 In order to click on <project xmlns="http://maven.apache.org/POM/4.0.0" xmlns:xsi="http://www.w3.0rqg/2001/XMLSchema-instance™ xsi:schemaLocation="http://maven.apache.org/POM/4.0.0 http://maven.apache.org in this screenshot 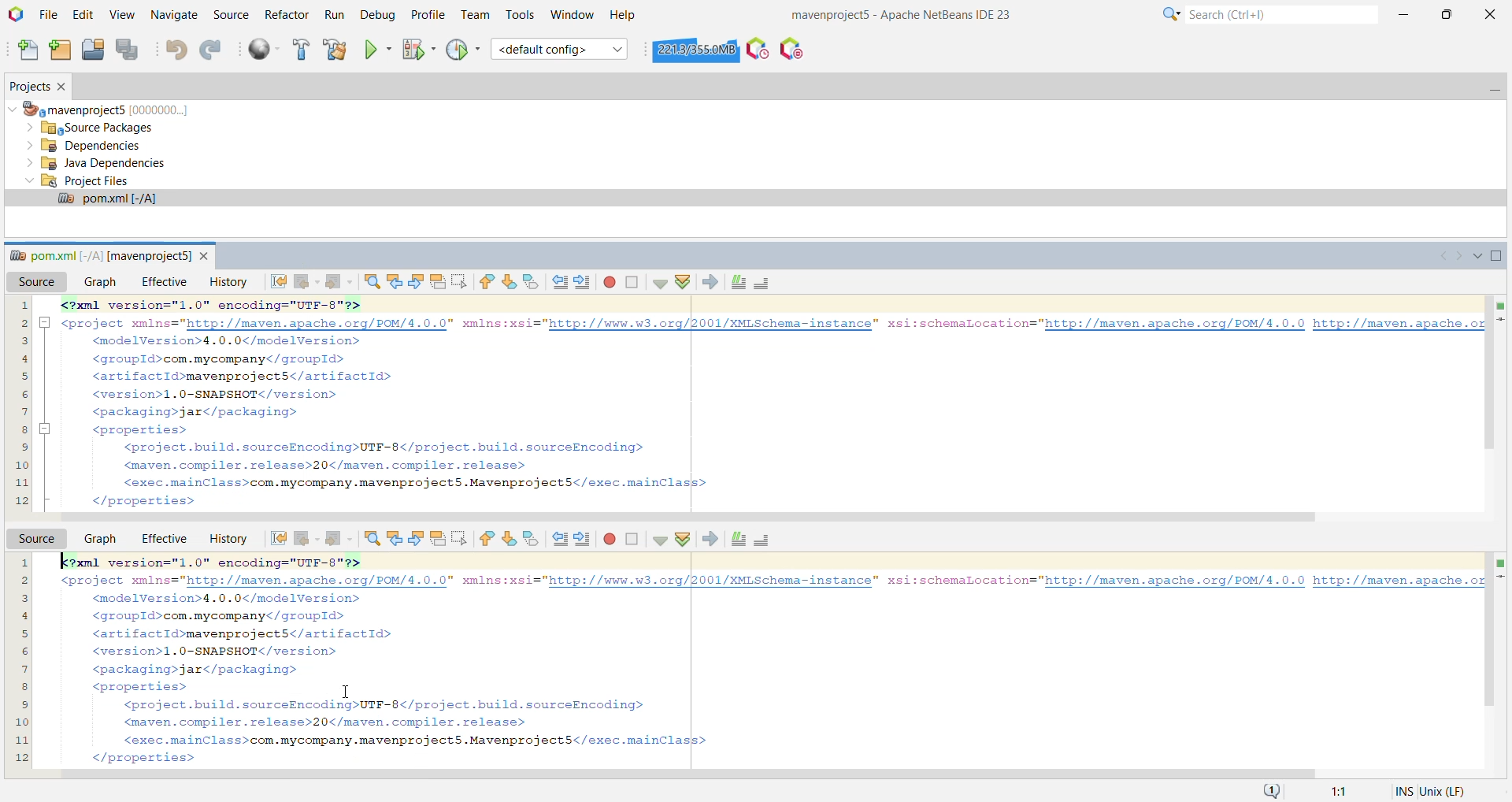, I will do `click(774, 324)`.